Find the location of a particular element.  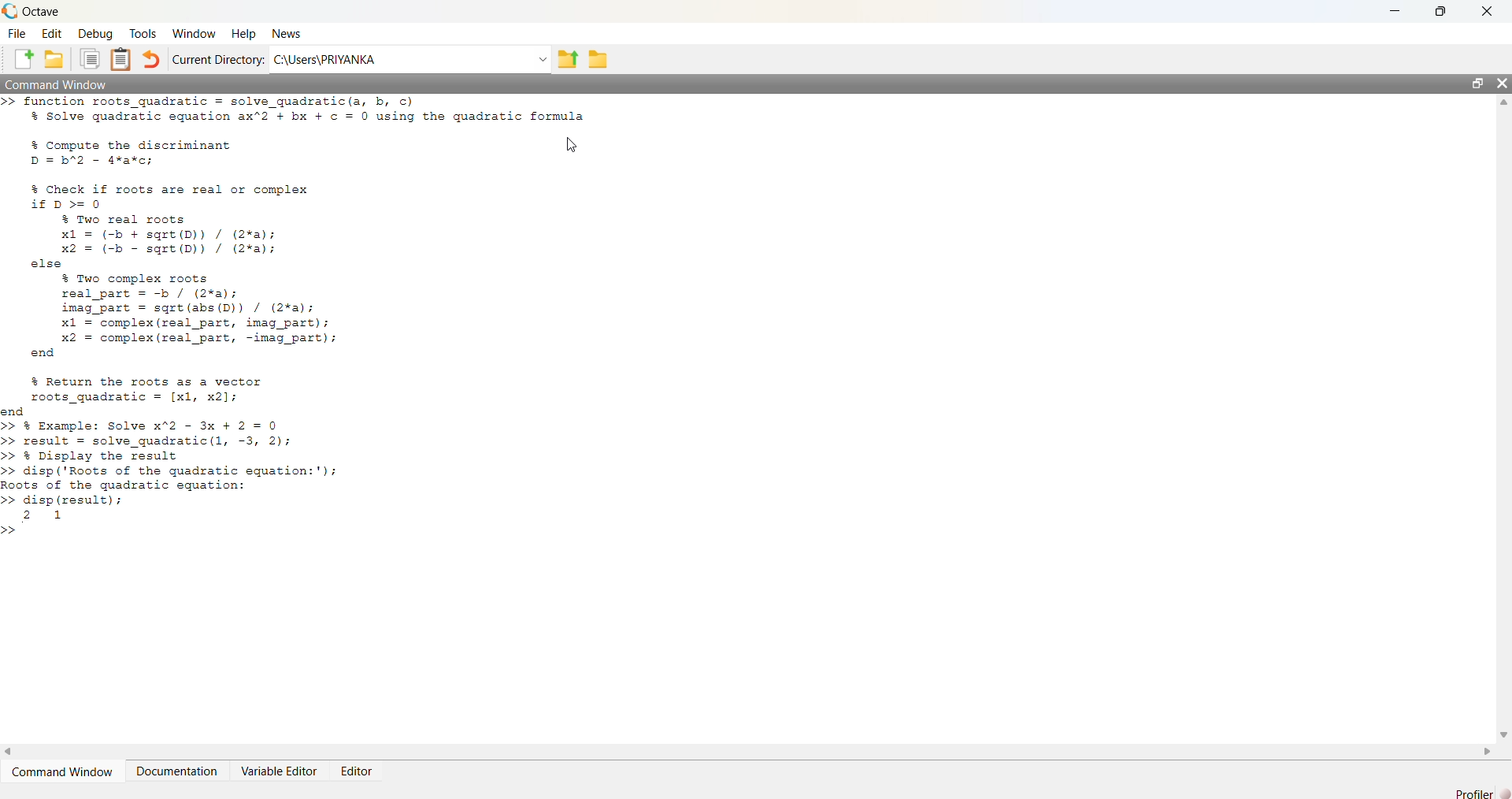

Down is located at coordinates (1503, 728).